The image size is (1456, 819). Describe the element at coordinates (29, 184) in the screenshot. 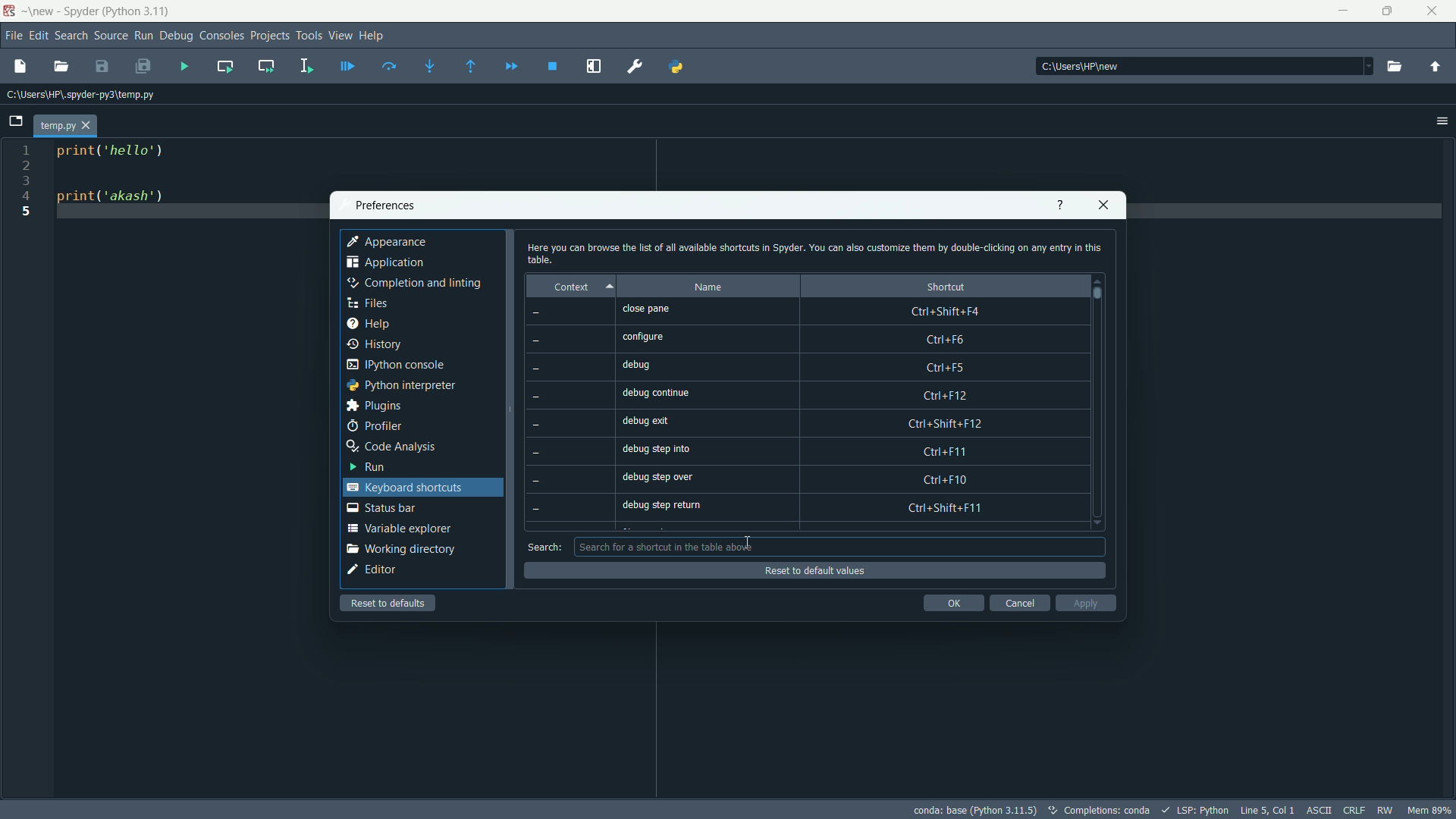

I see `3` at that location.